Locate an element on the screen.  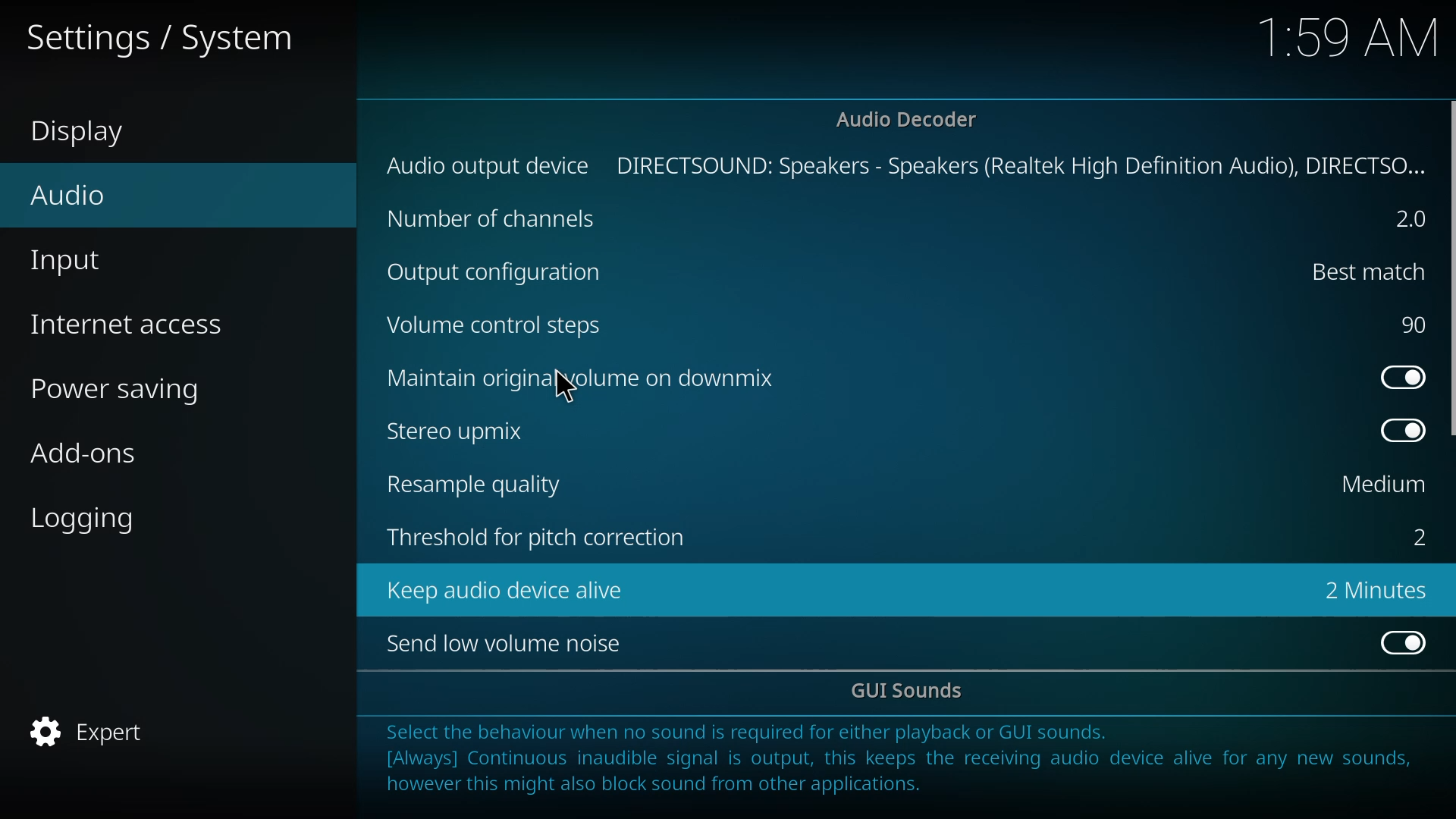
cursor is located at coordinates (566, 388).